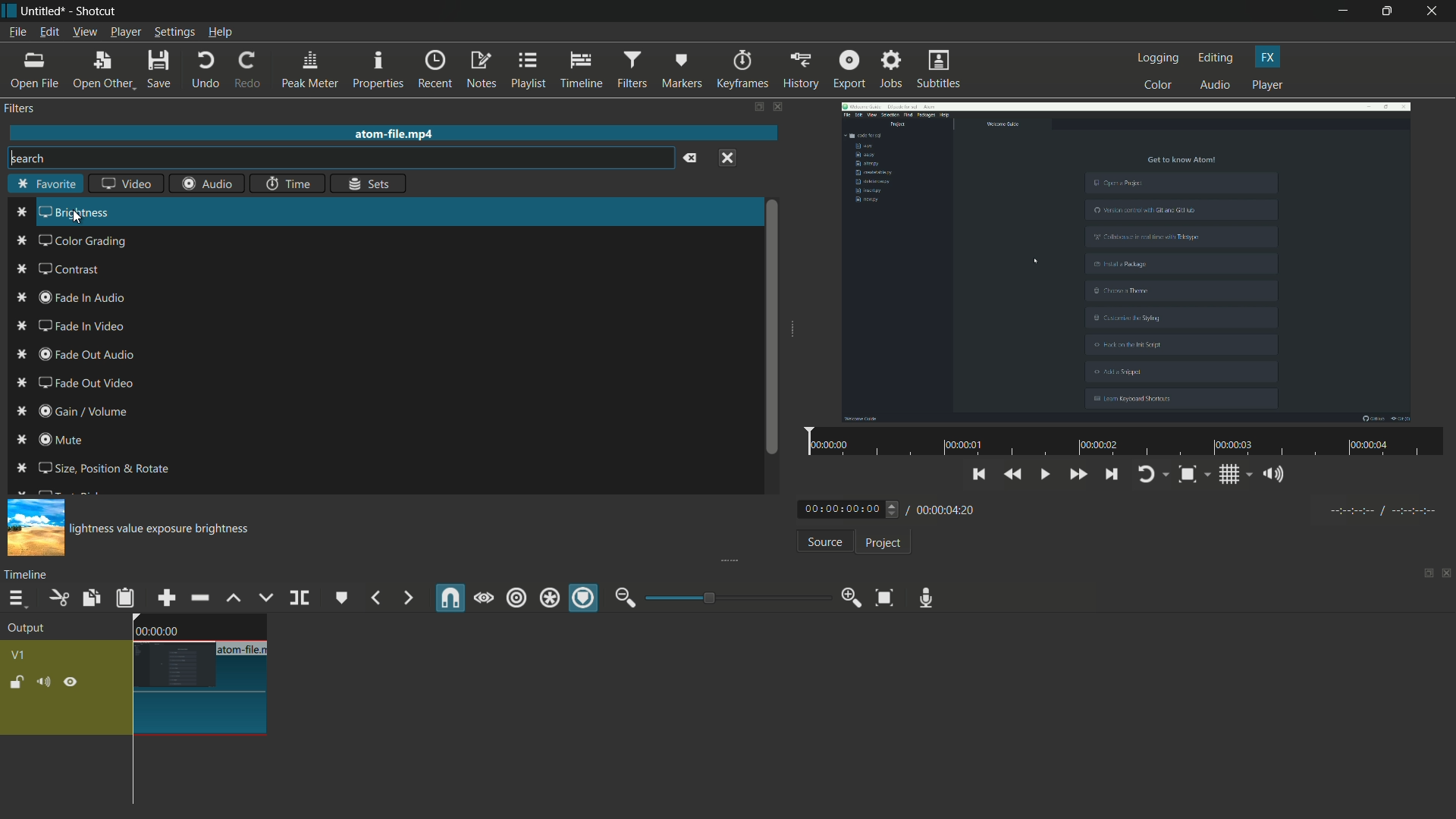 The width and height of the screenshot is (1456, 819). I want to click on Untitled (file name), so click(46, 11).